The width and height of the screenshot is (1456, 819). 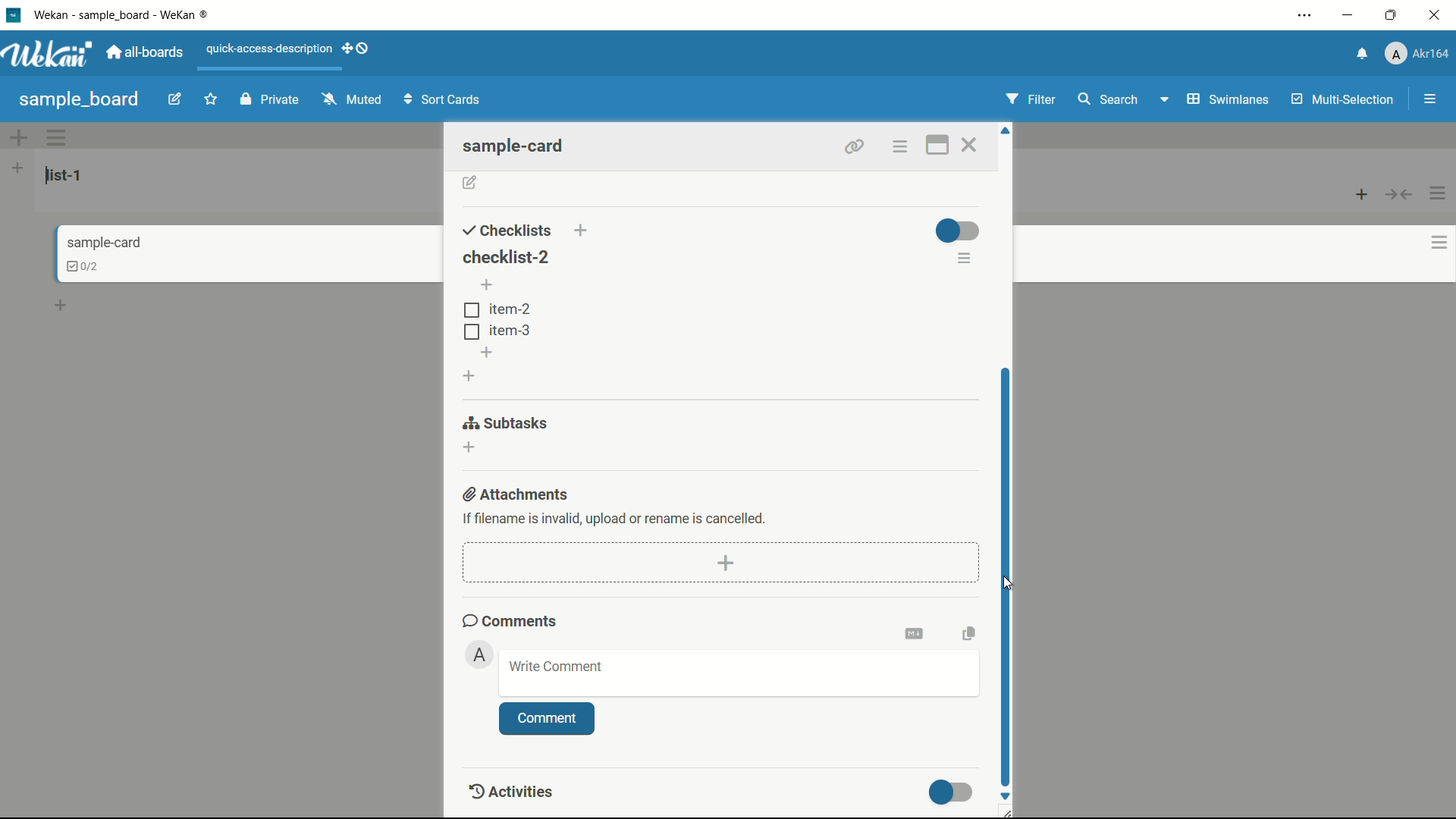 I want to click on item-2, so click(x=497, y=310).